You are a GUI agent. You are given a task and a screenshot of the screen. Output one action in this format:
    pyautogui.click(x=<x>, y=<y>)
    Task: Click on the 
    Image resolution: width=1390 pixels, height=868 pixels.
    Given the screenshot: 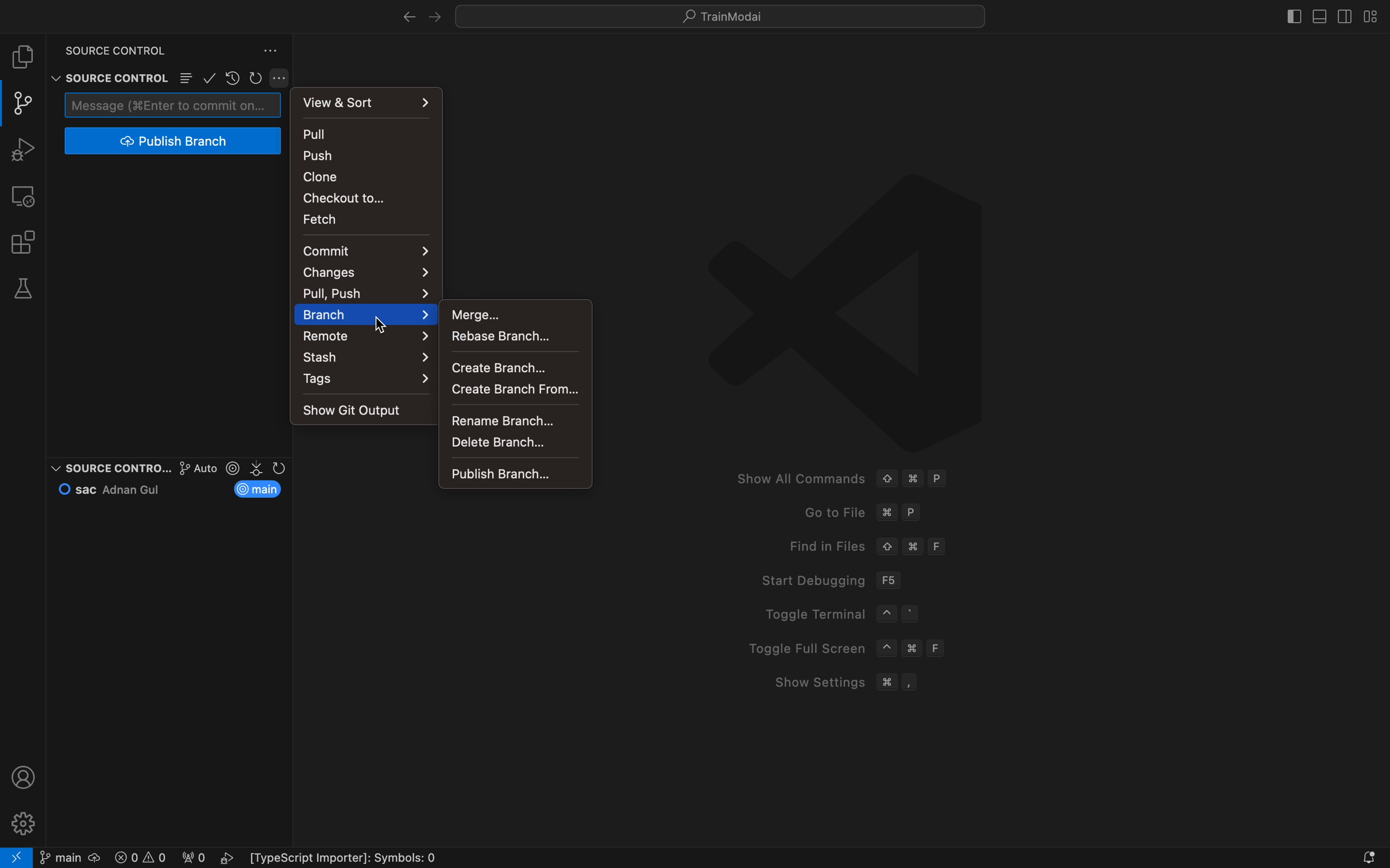 What is the action you would take?
    pyautogui.click(x=368, y=314)
    